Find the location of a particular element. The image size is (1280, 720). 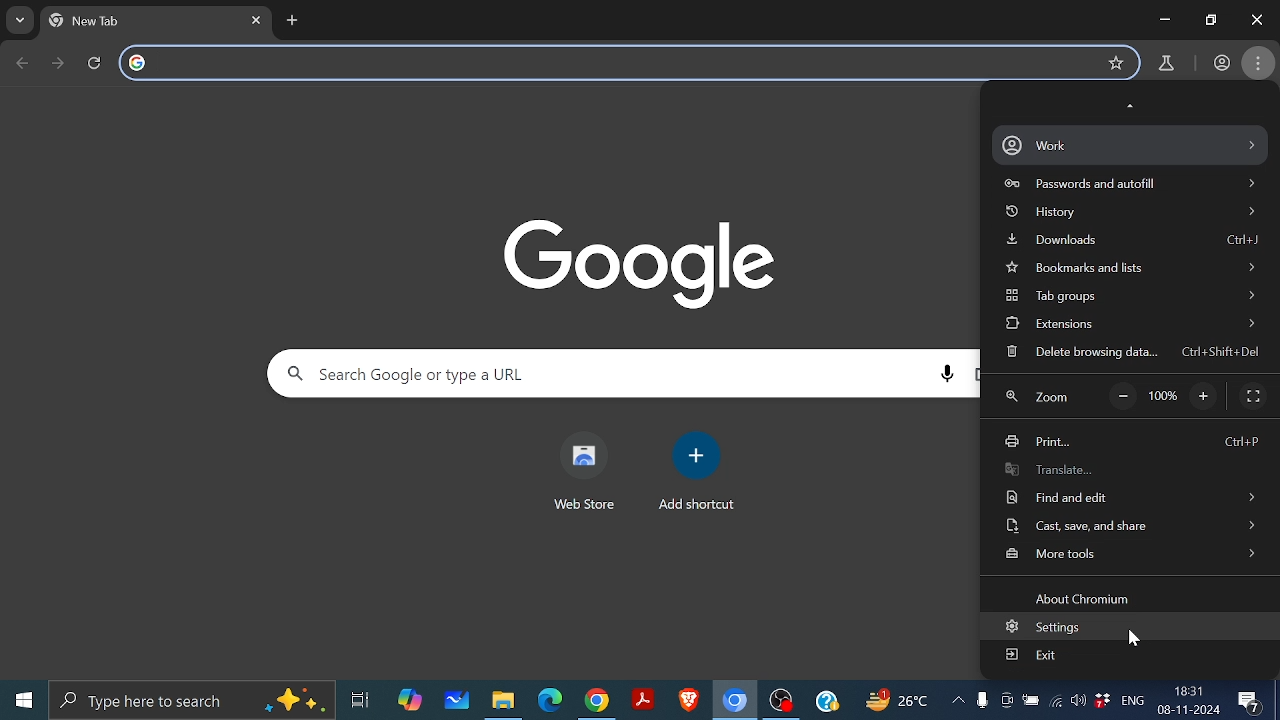

sound is located at coordinates (1078, 704).